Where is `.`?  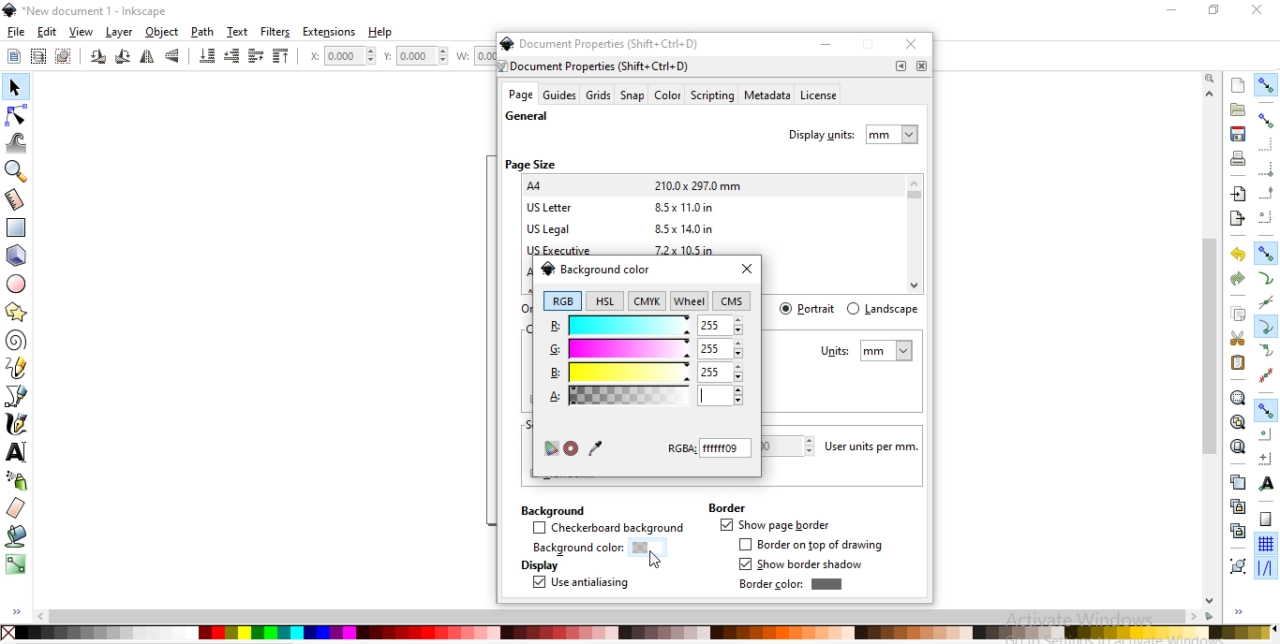
. is located at coordinates (901, 66).